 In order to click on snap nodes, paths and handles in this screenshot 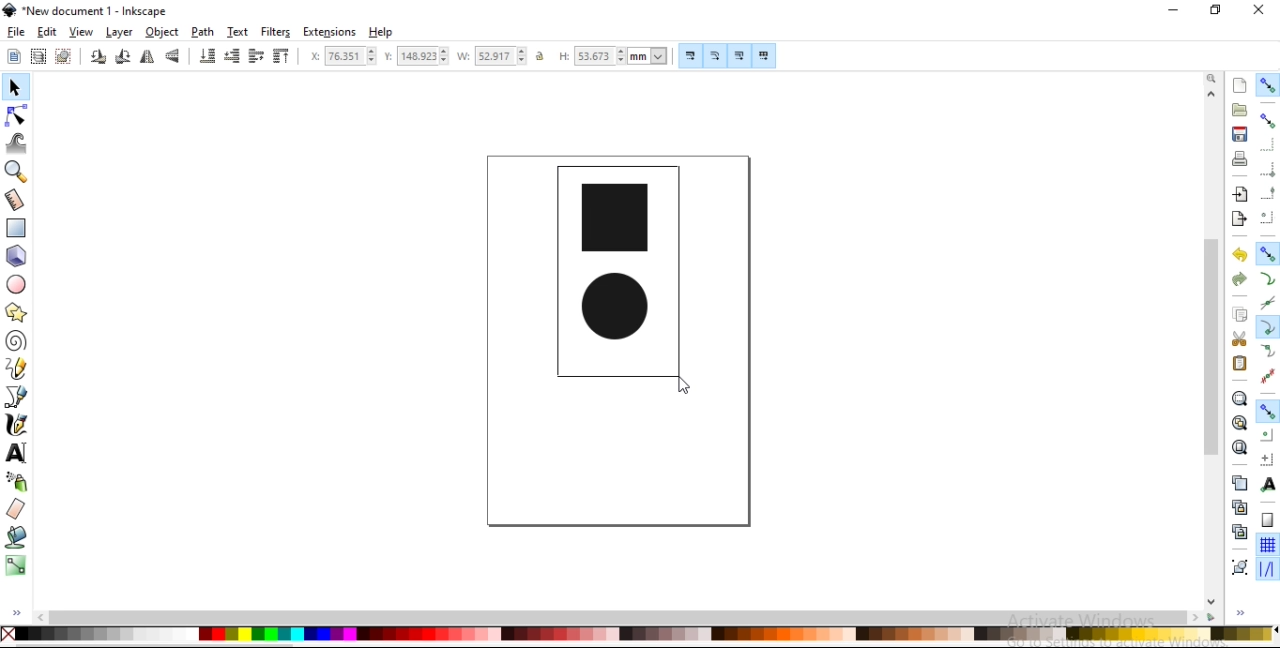, I will do `click(1268, 253)`.